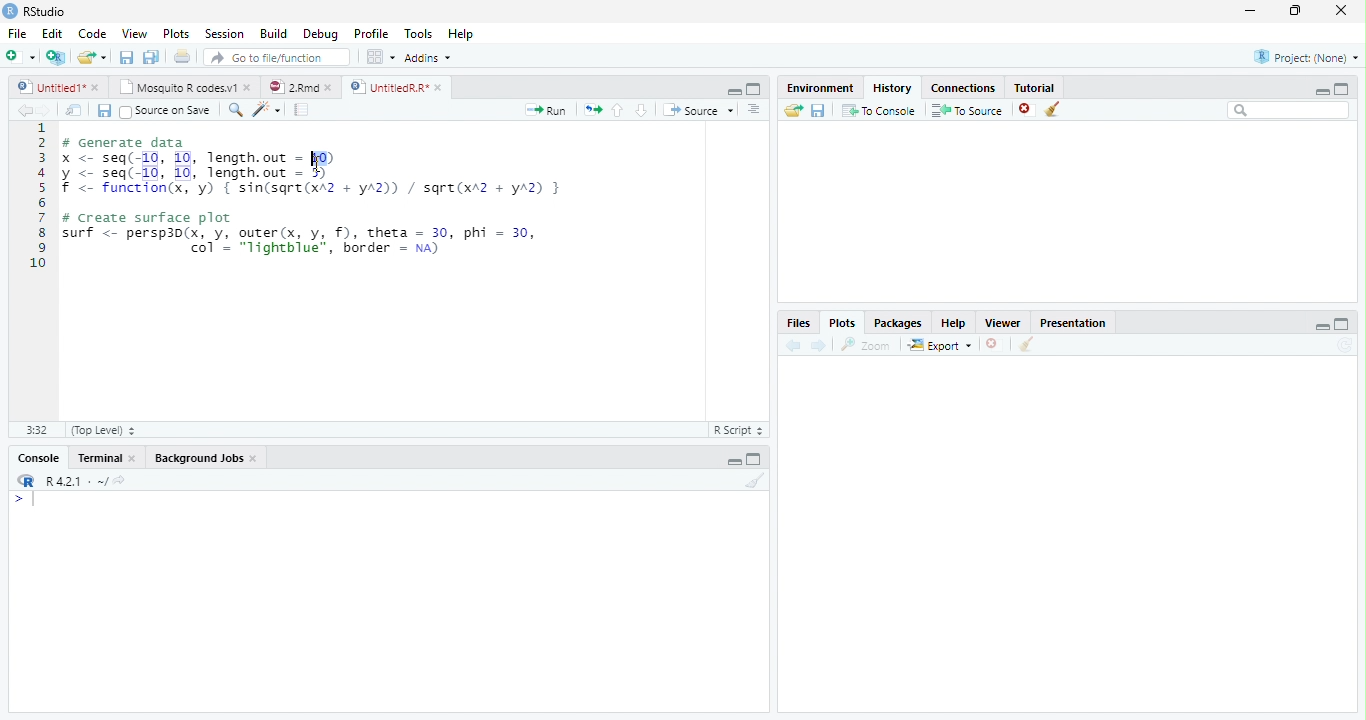 This screenshot has width=1366, height=720. What do you see at coordinates (940, 345) in the screenshot?
I see `Export` at bounding box center [940, 345].